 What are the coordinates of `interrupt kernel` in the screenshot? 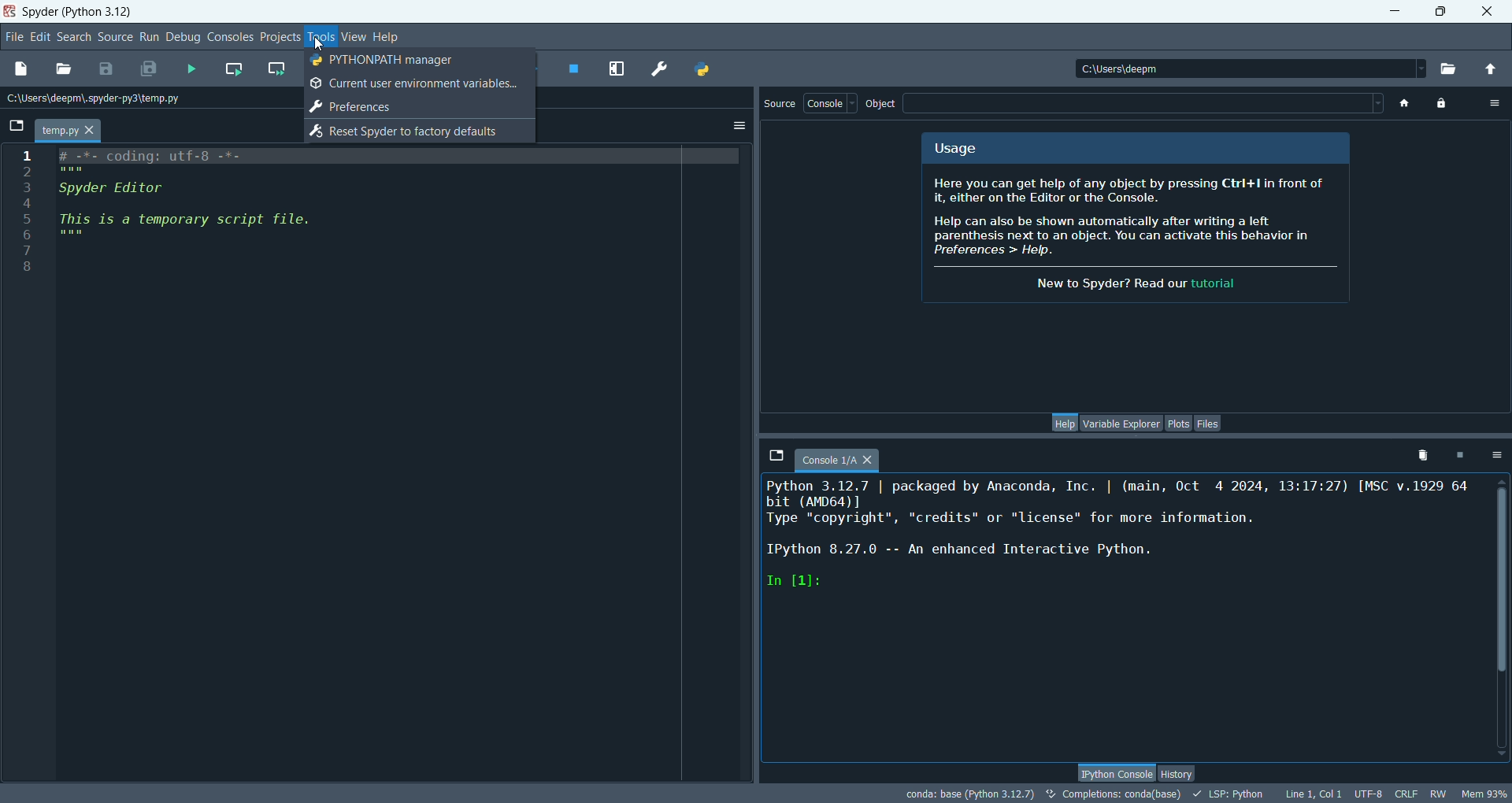 It's located at (1458, 453).